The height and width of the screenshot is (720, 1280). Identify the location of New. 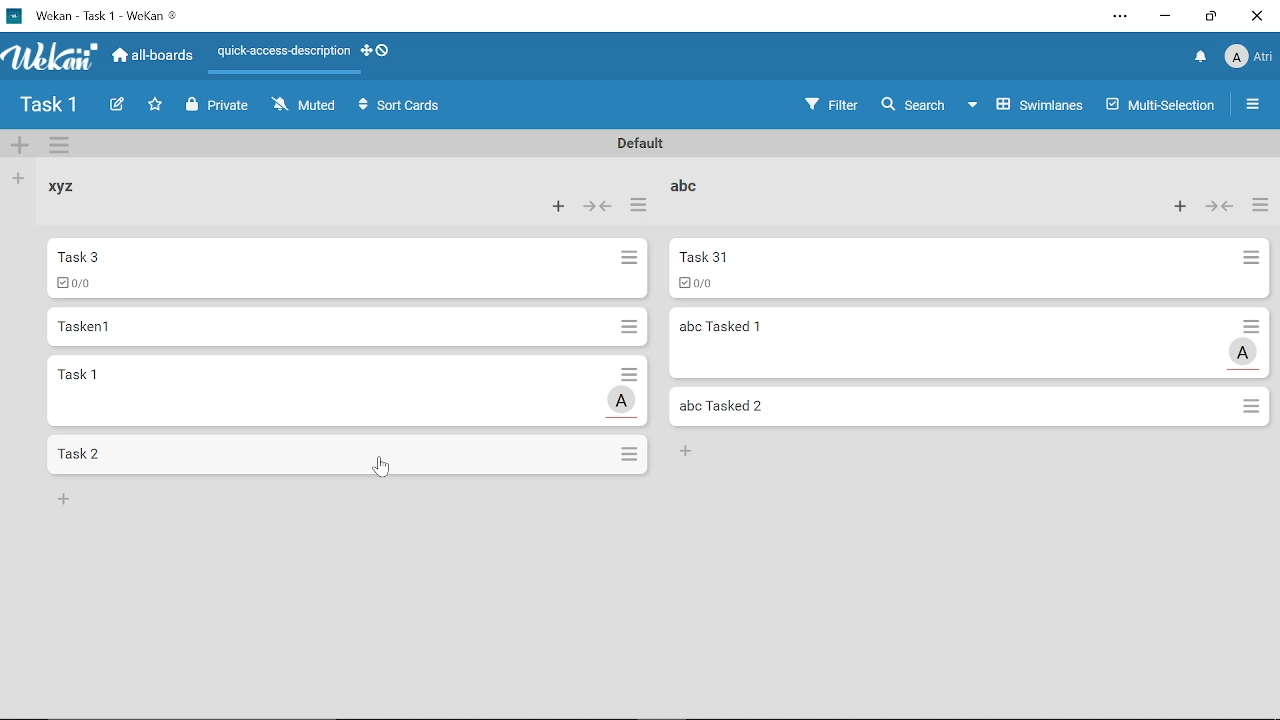
(691, 452).